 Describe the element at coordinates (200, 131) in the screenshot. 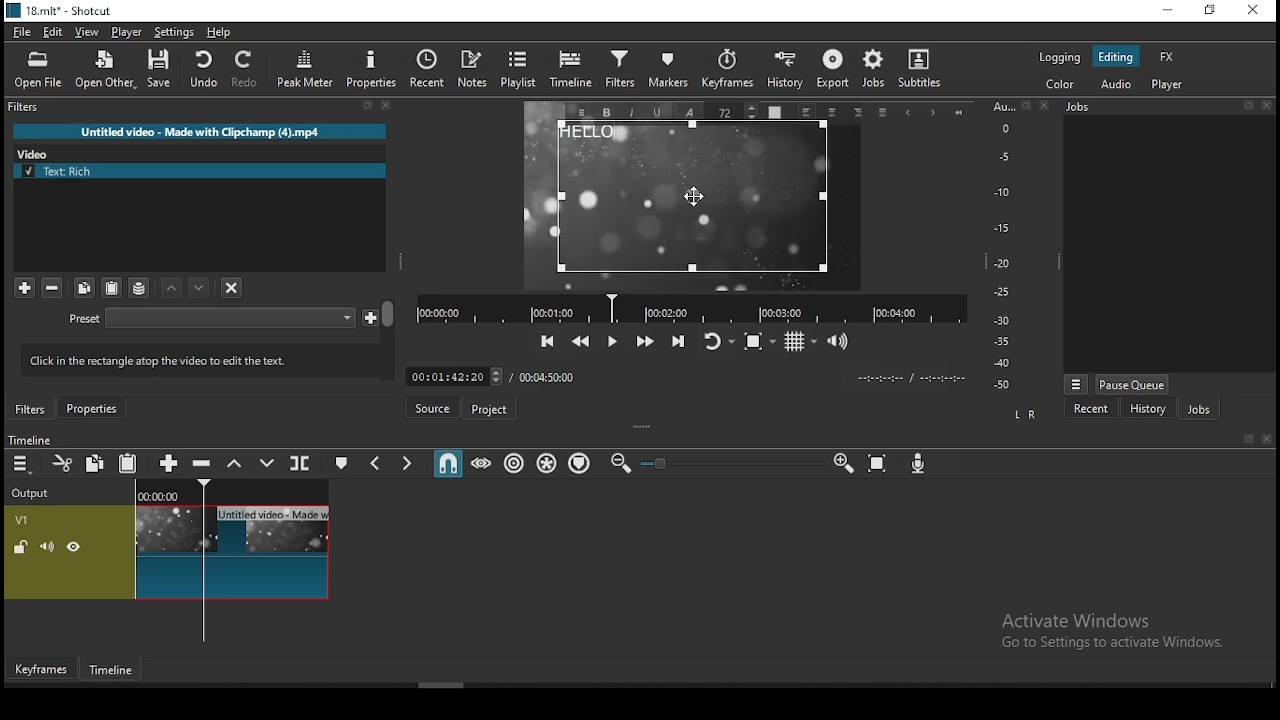

I see `Untitled video - Made with Clipchamp (4).mp4` at that location.